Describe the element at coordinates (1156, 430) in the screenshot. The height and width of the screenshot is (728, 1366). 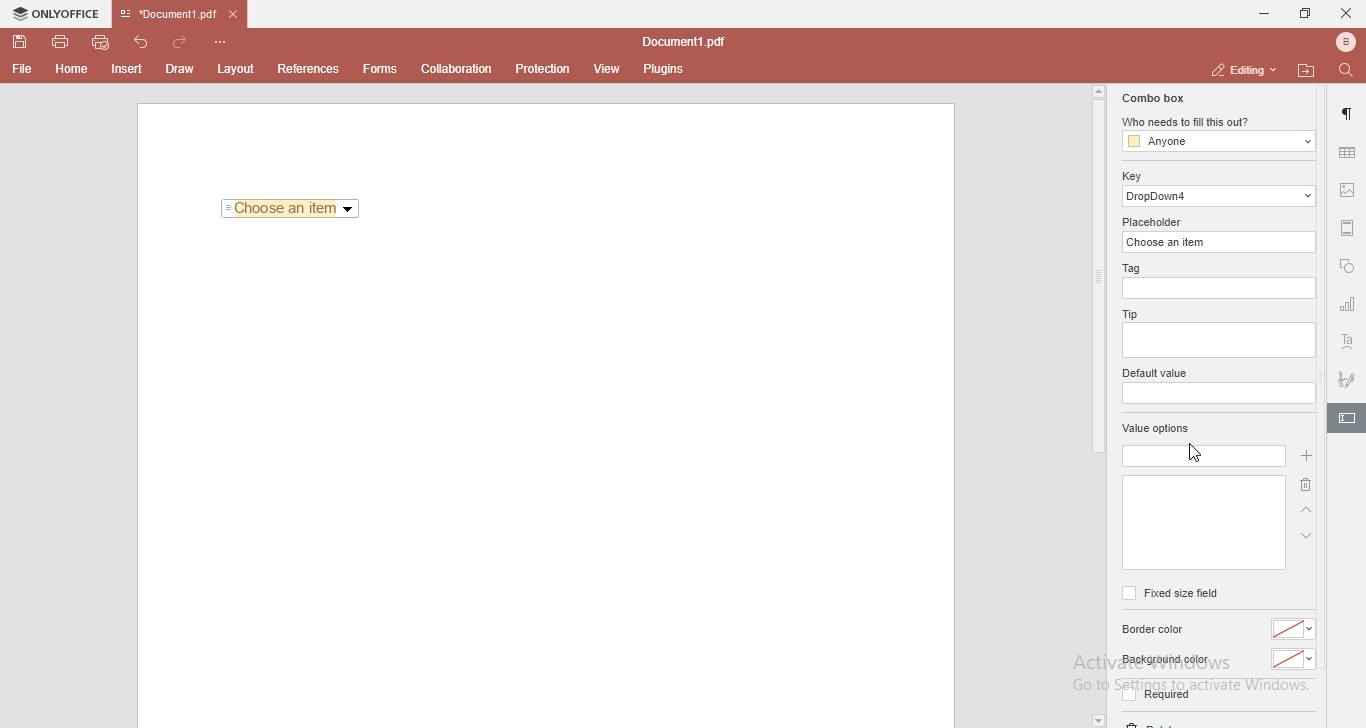
I see `value options` at that location.